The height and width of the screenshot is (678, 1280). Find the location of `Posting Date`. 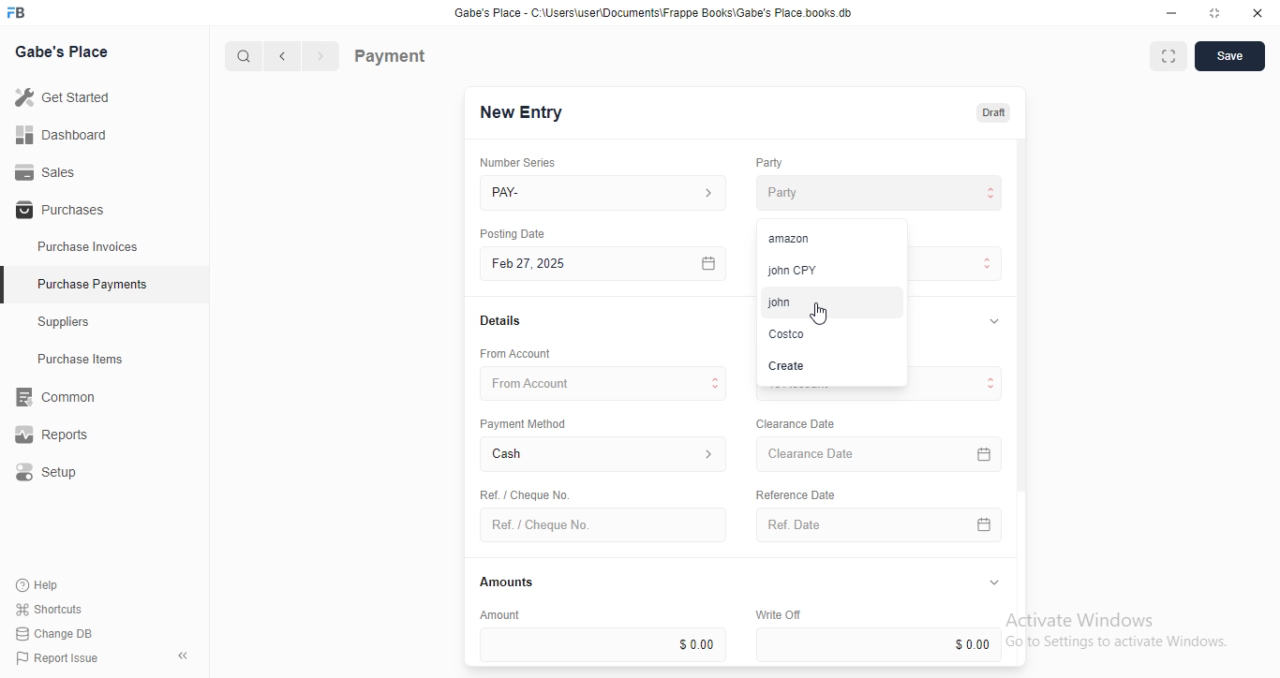

Posting Date is located at coordinates (514, 233).